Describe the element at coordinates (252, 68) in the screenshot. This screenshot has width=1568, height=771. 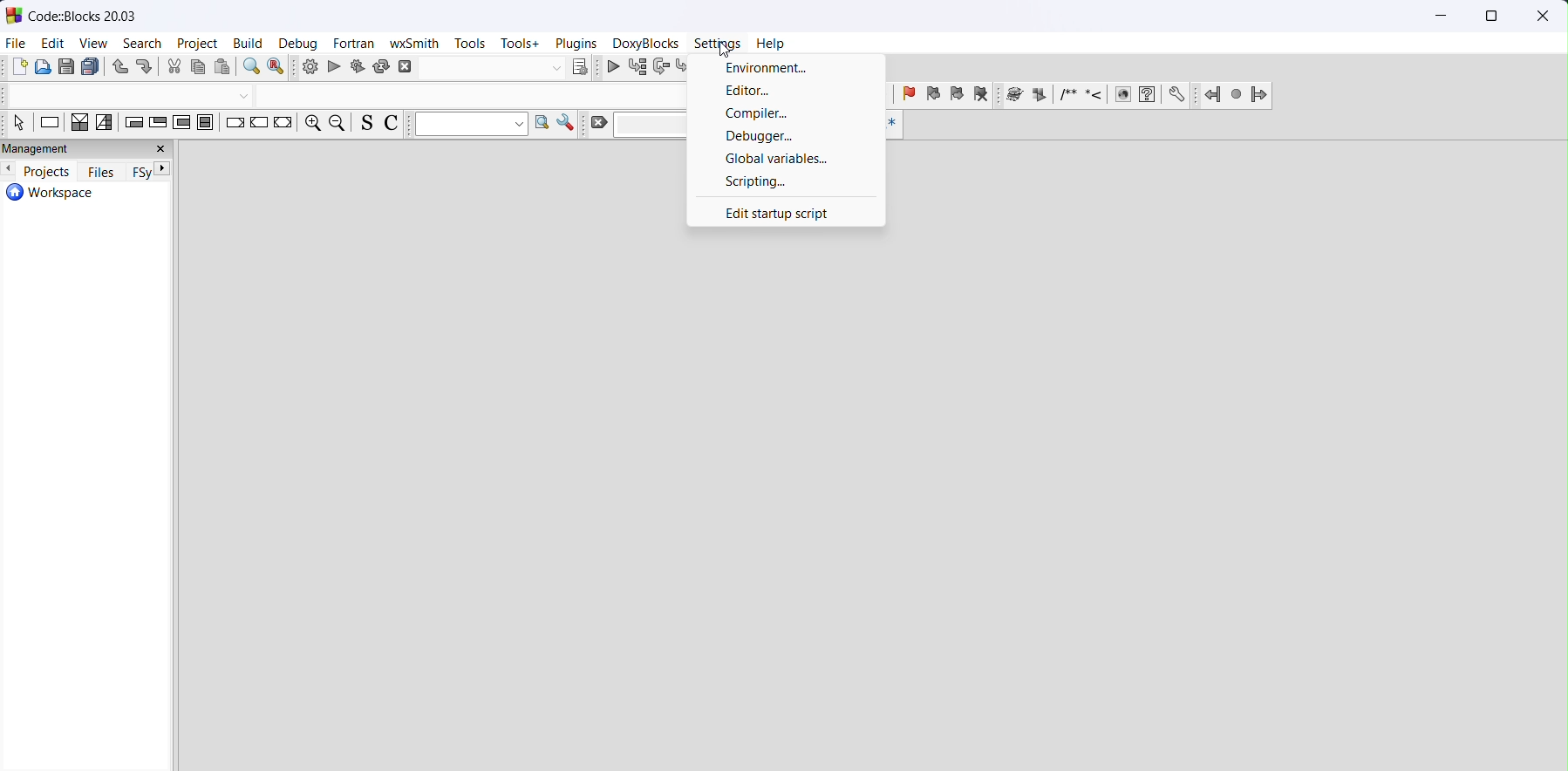
I see `find` at that location.